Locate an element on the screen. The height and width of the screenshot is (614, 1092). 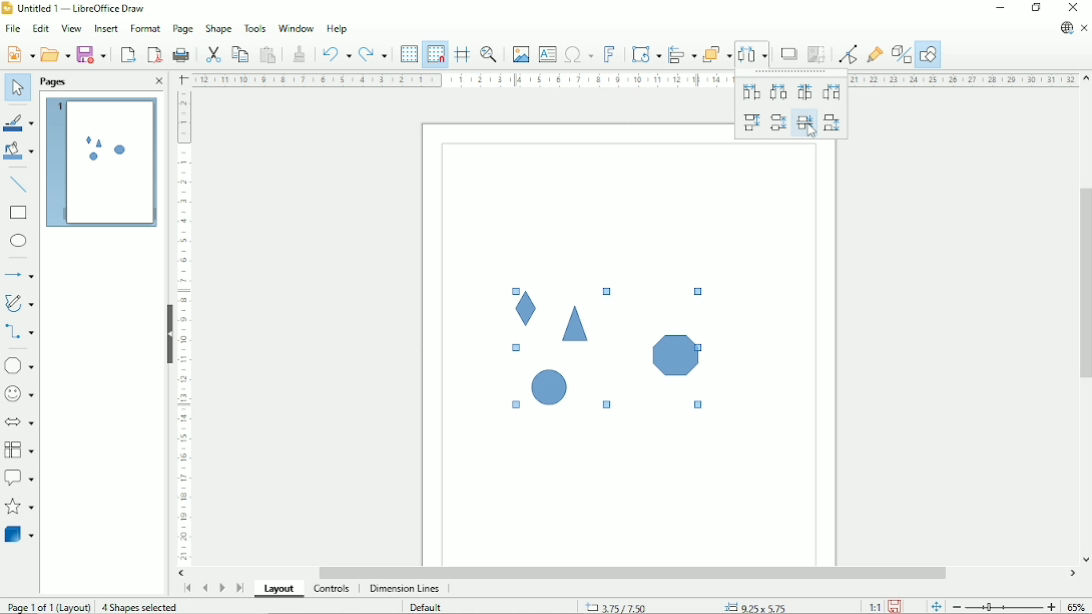
Vertical scroll button is located at coordinates (1085, 79).